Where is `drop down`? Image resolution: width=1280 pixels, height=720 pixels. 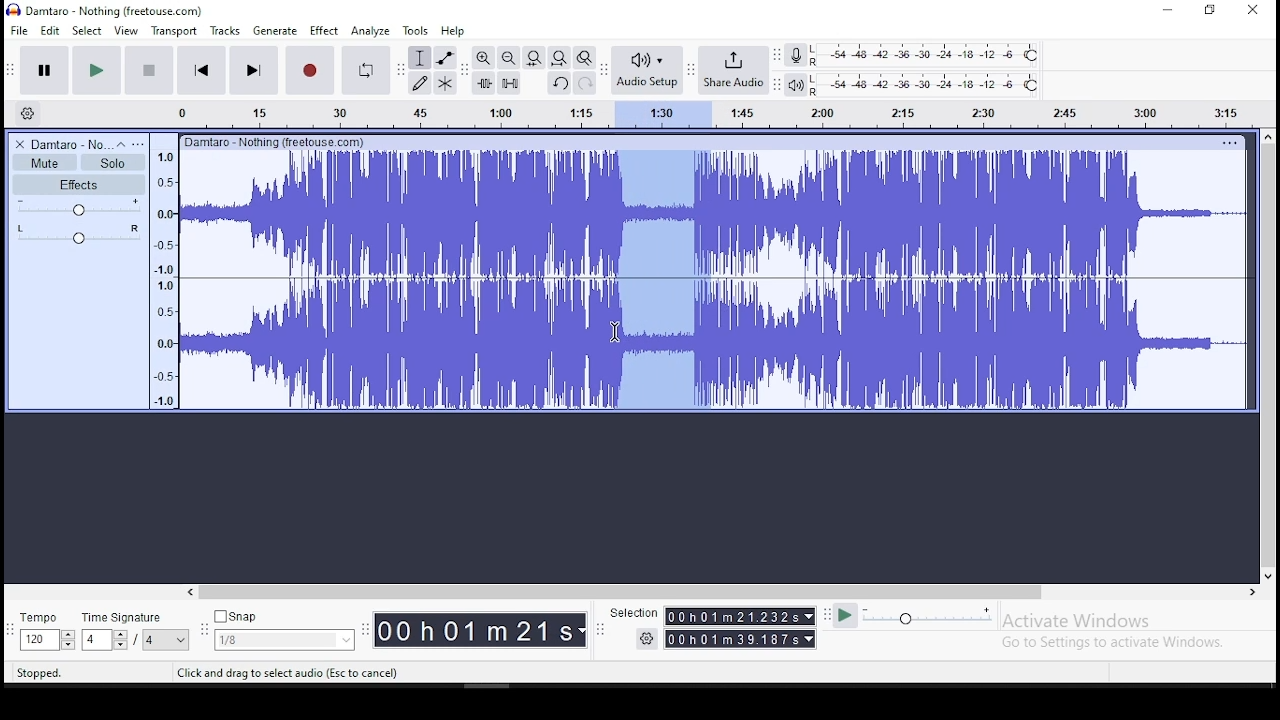 drop down is located at coordinates (182, 640).